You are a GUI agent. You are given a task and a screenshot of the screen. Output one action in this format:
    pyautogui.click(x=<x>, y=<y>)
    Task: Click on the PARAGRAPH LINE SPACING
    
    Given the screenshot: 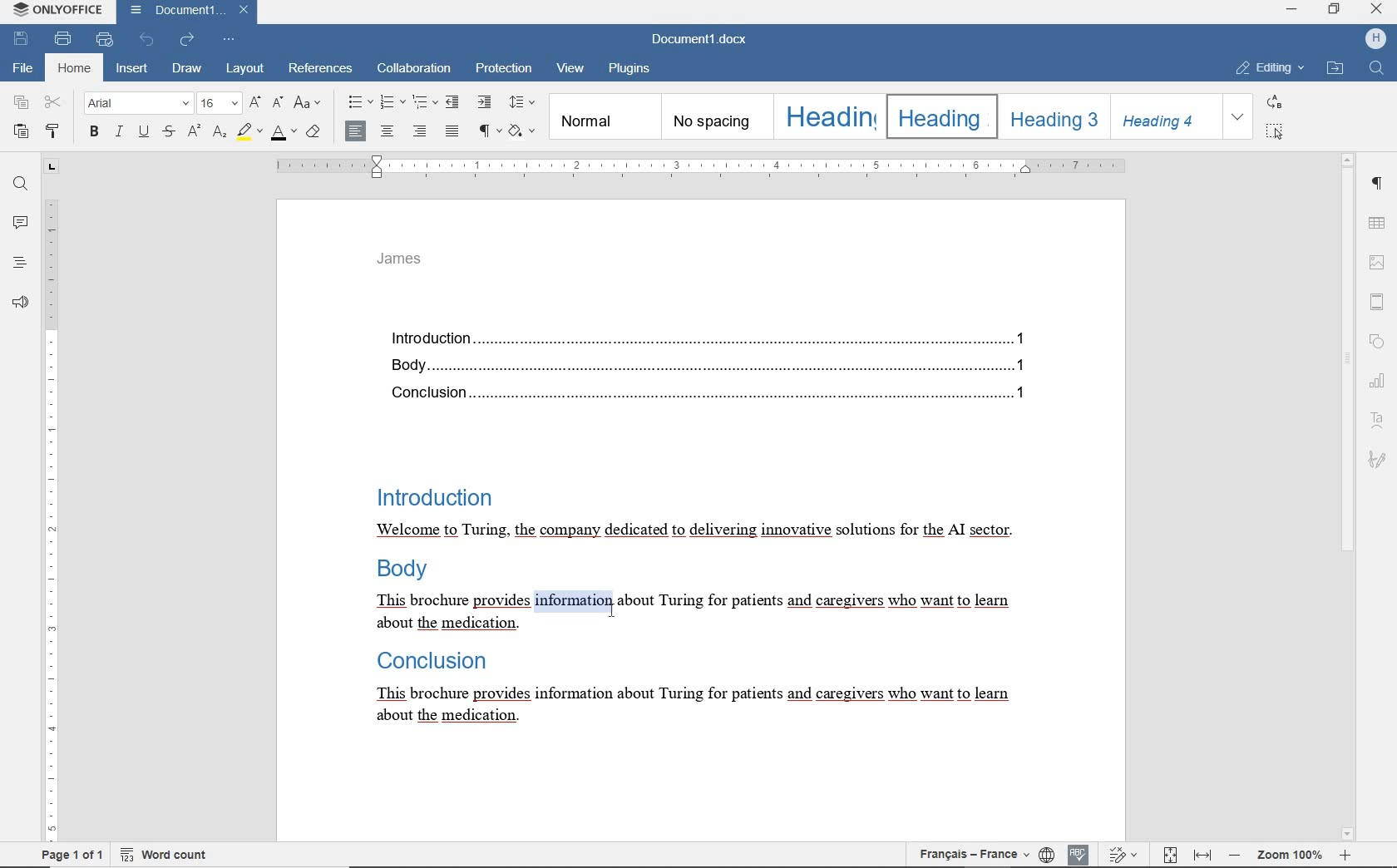 What is the action you would take?
    pyautogui.click(x=523, y=103)
    